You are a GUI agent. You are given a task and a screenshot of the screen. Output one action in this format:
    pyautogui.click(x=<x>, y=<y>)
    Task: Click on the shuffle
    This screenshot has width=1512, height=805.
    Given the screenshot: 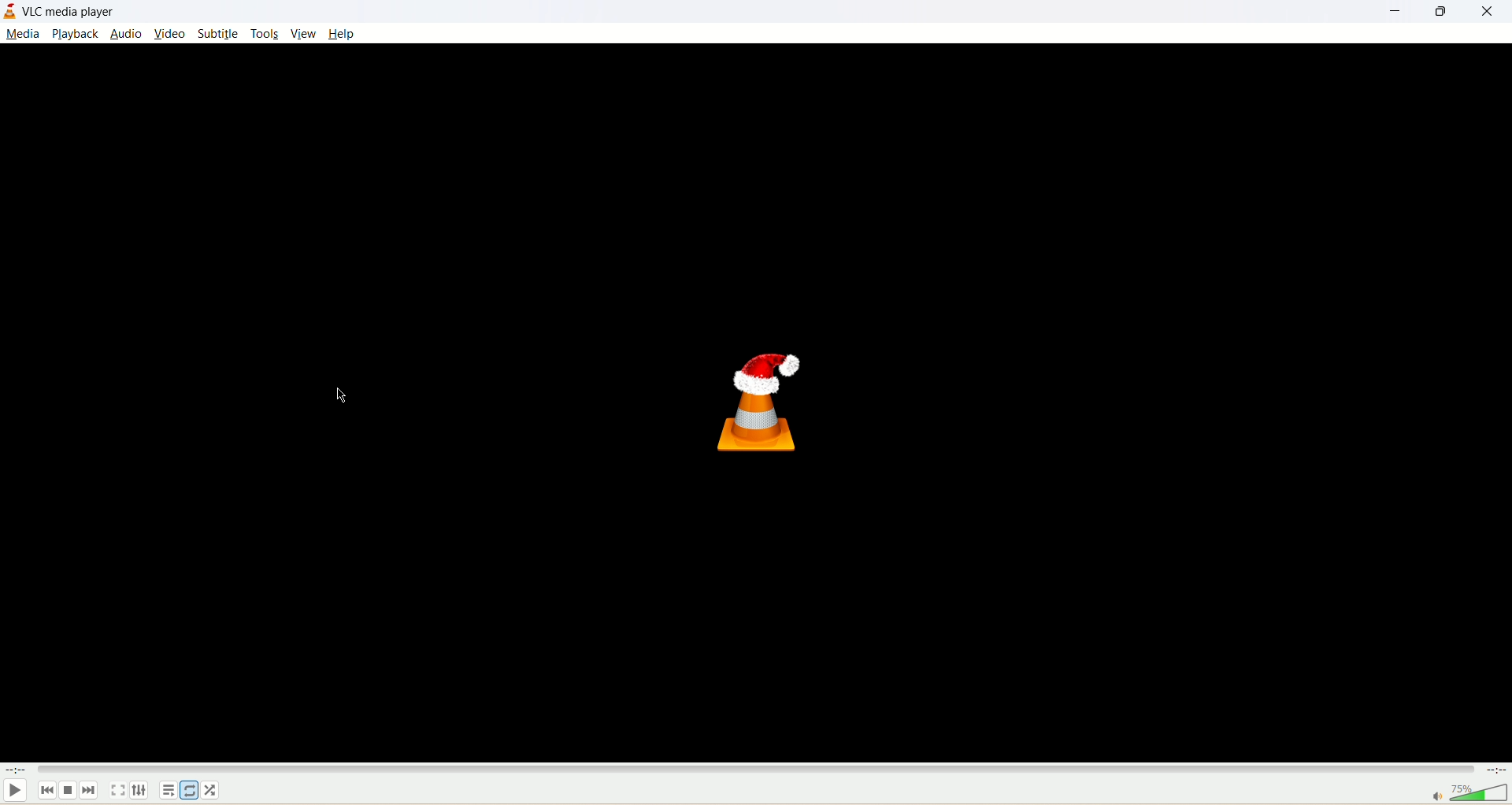 What is the action you would take?
    pyautogui.click(x=214, y=791)
    